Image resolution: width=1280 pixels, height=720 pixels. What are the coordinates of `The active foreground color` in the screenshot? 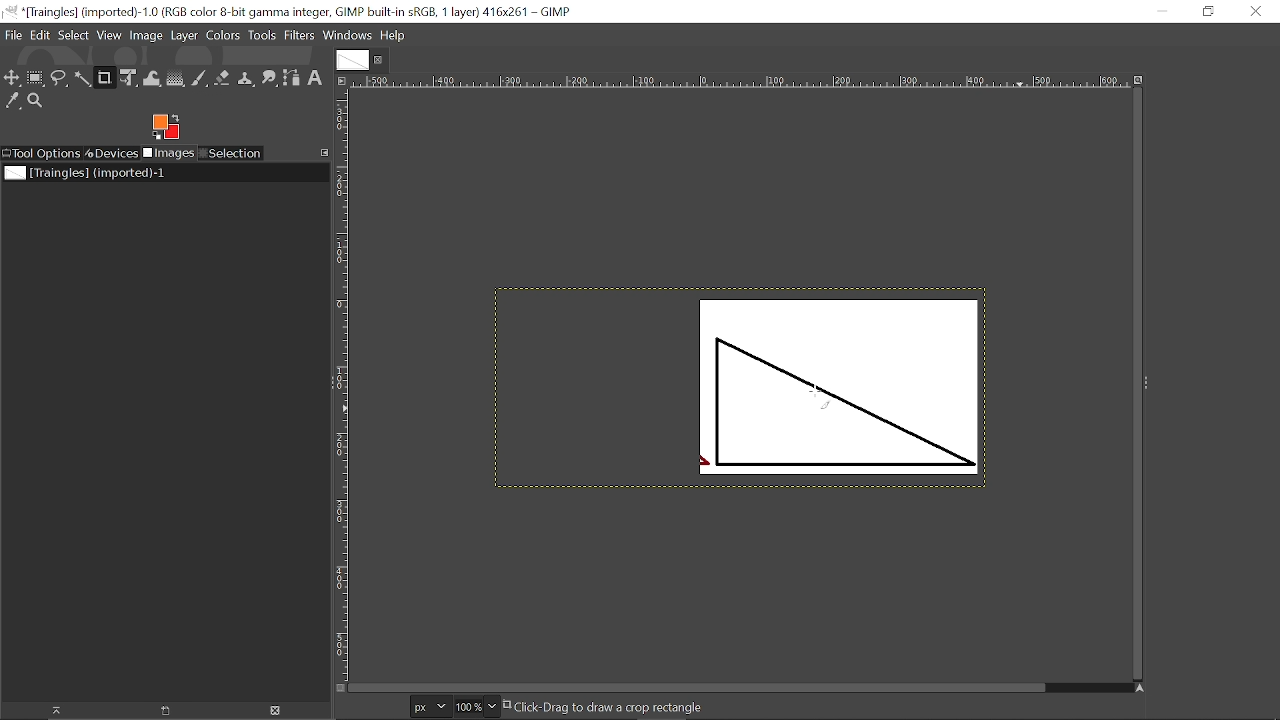 It's located at (166, 126).